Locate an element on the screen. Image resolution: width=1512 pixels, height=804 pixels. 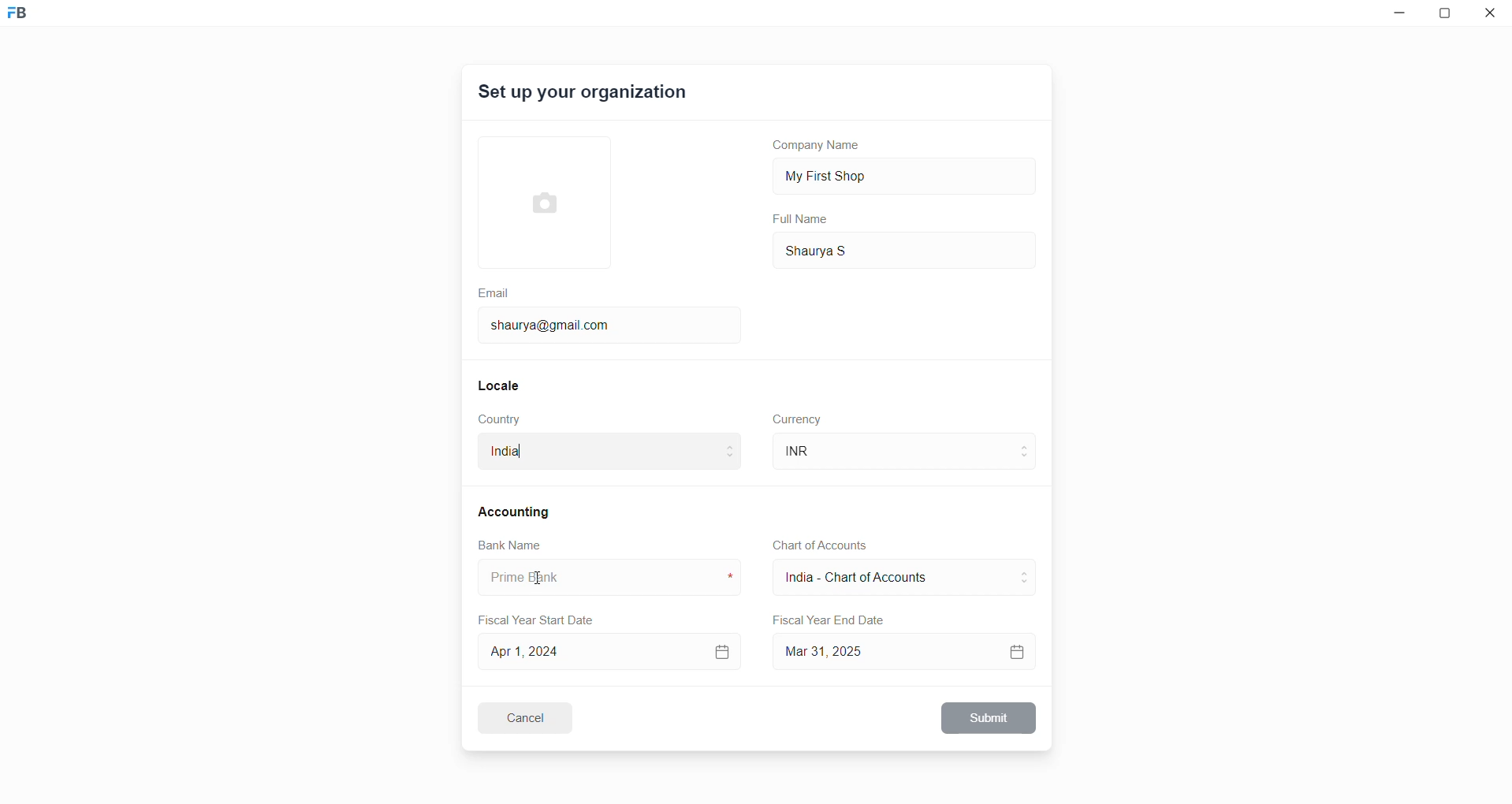
Email is located at coordinates (496, 291).